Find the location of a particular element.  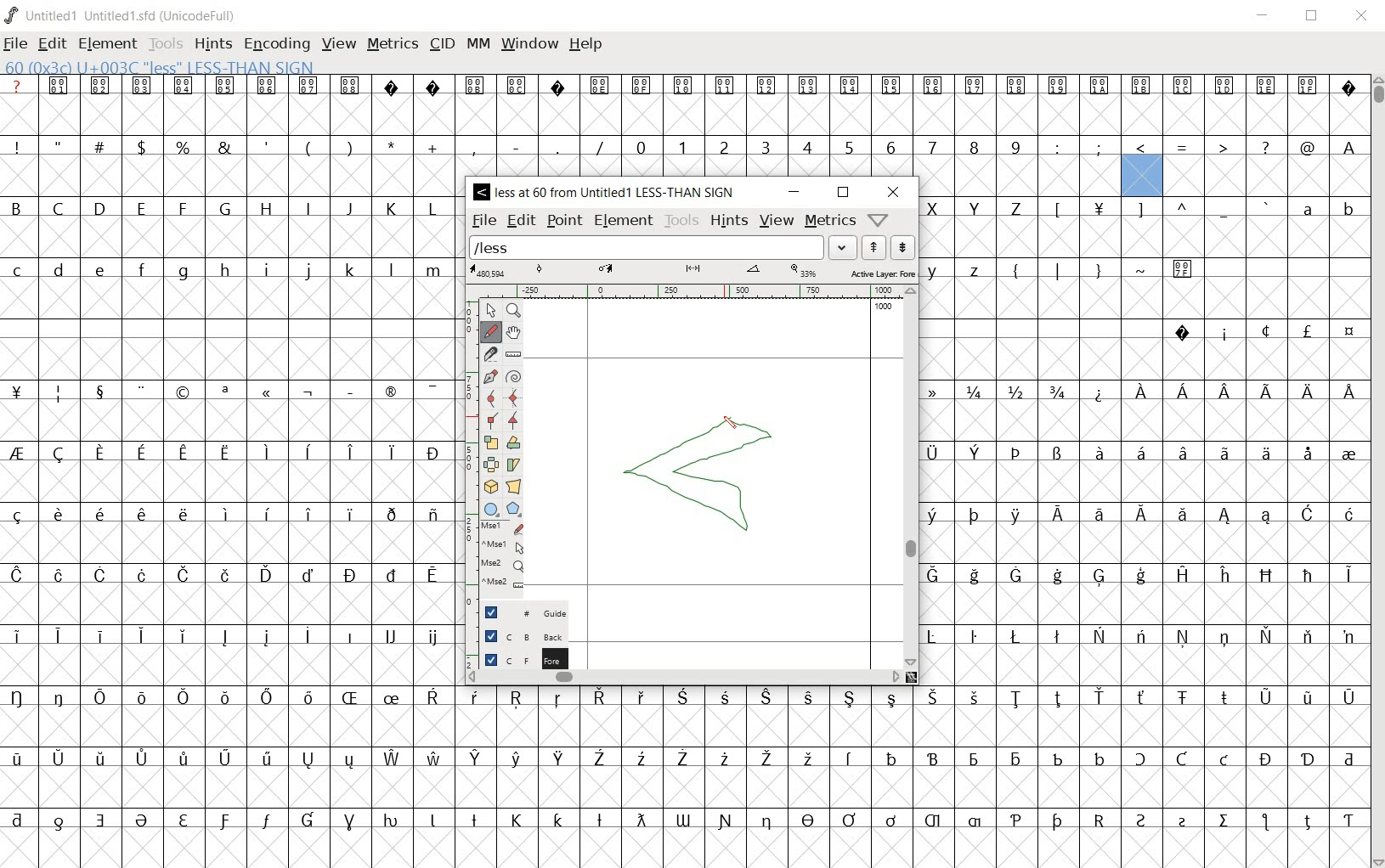

restore down is located at coordinates (1313, 15).